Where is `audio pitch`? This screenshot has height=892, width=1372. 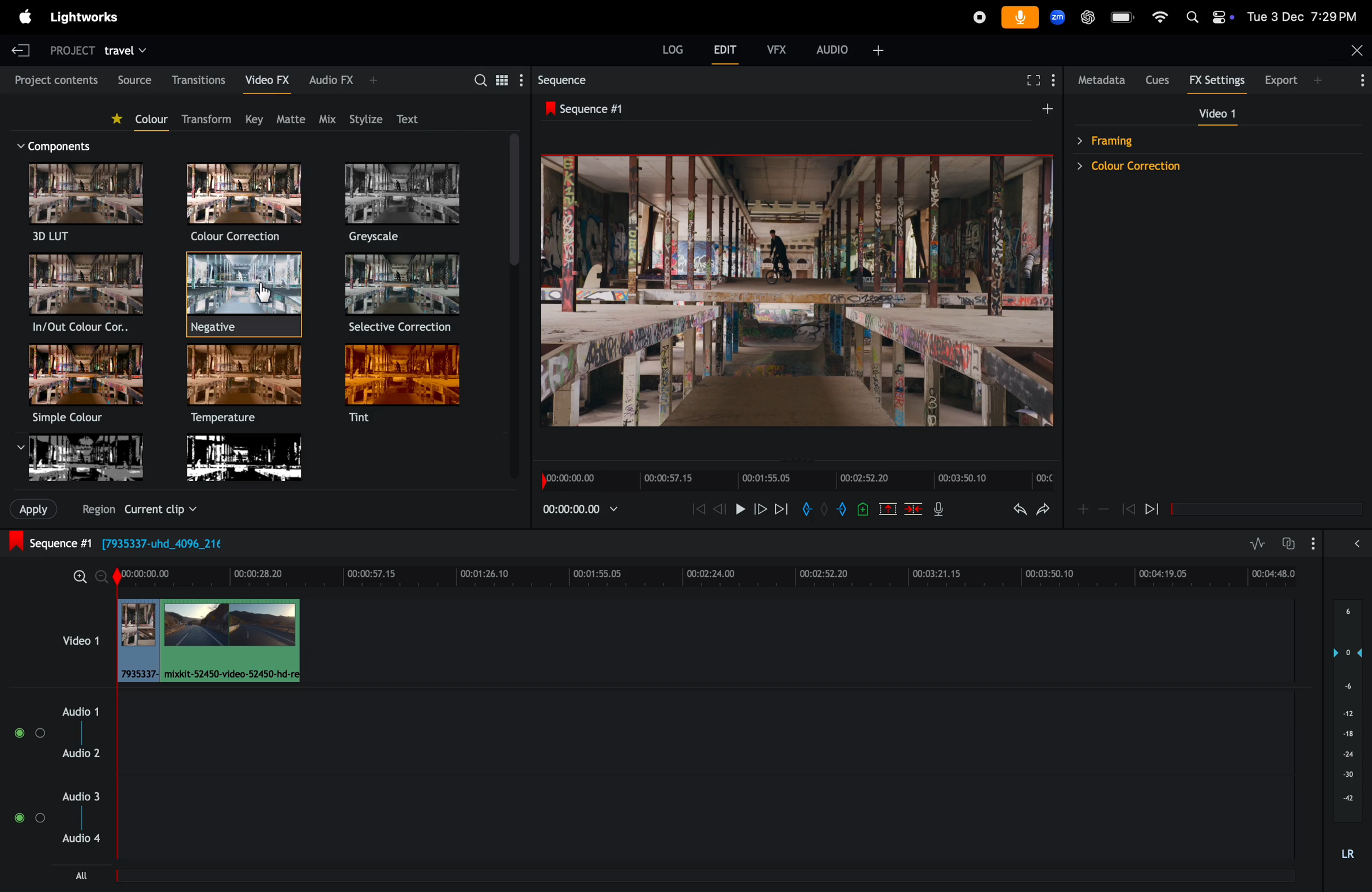
audio pitch is located at coordinates (1351, 731).